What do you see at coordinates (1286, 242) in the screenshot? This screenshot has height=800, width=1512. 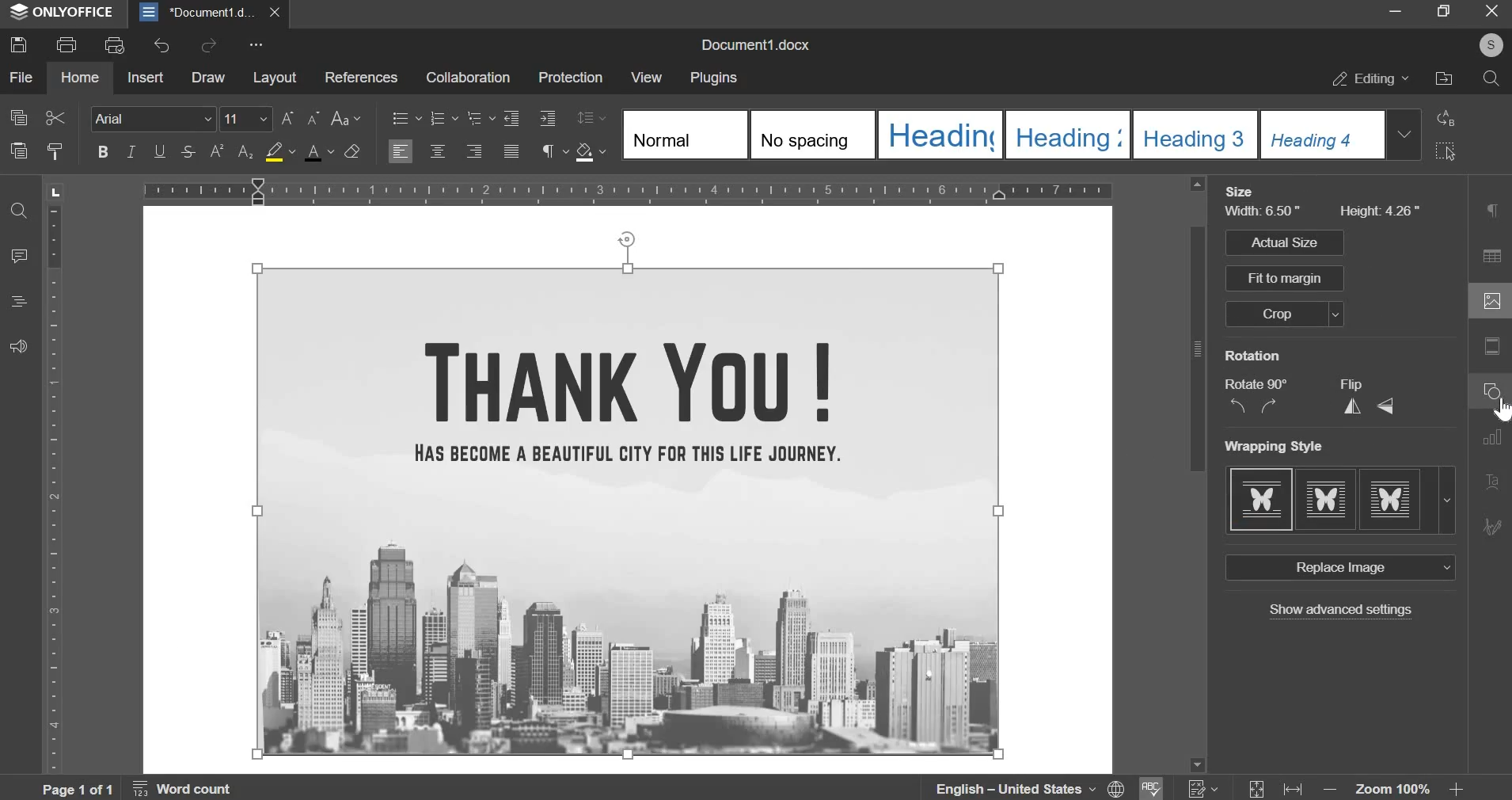 I see `Actual size` at bounding box center [1286, 242].